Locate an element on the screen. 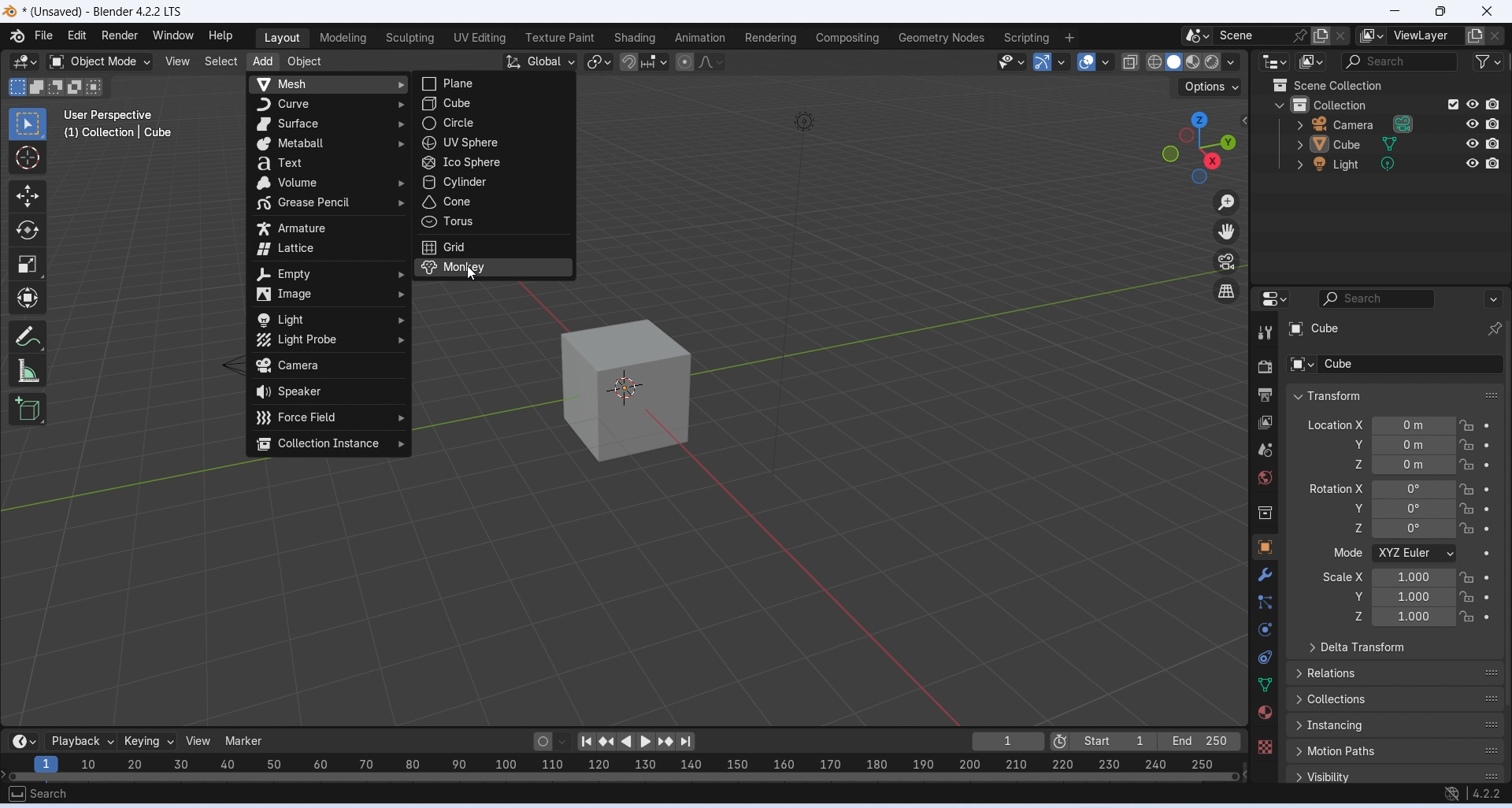  animate property is located at coordinates (1488, 425).